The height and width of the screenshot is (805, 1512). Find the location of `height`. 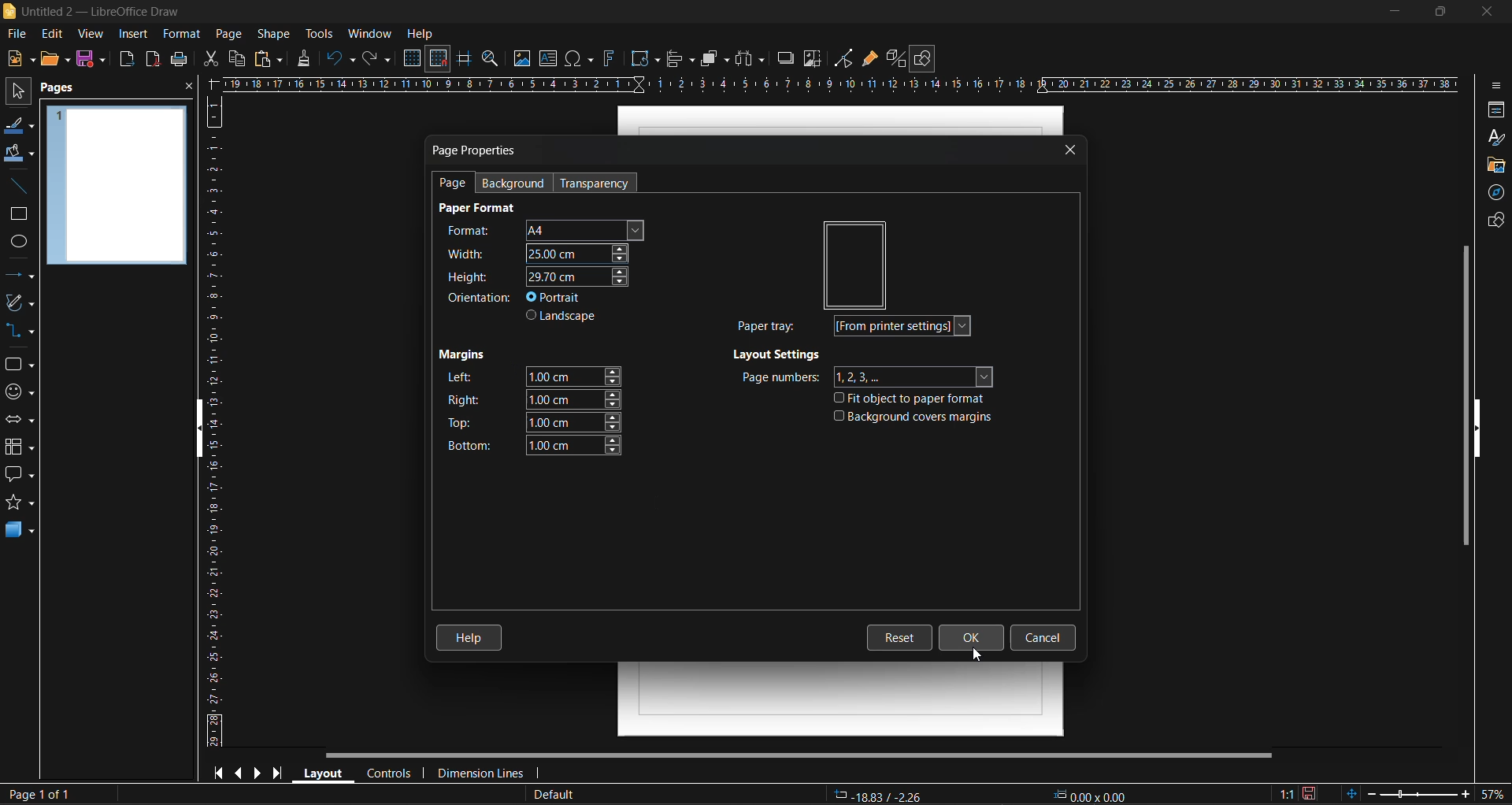

height is located at coordinates (533, 276).